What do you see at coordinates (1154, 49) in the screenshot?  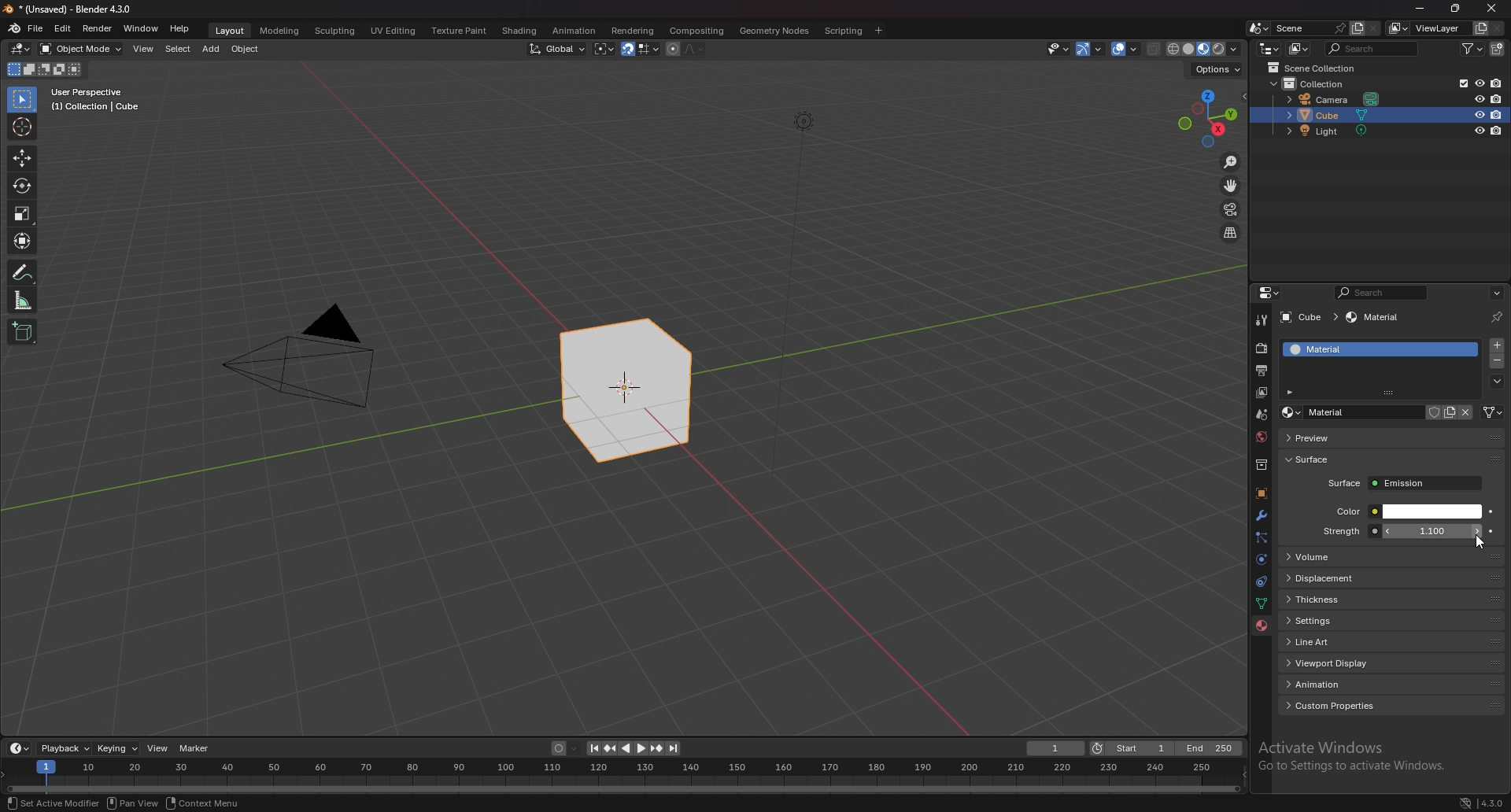 I see `toggle xray` at bounding box center [1154, 49].